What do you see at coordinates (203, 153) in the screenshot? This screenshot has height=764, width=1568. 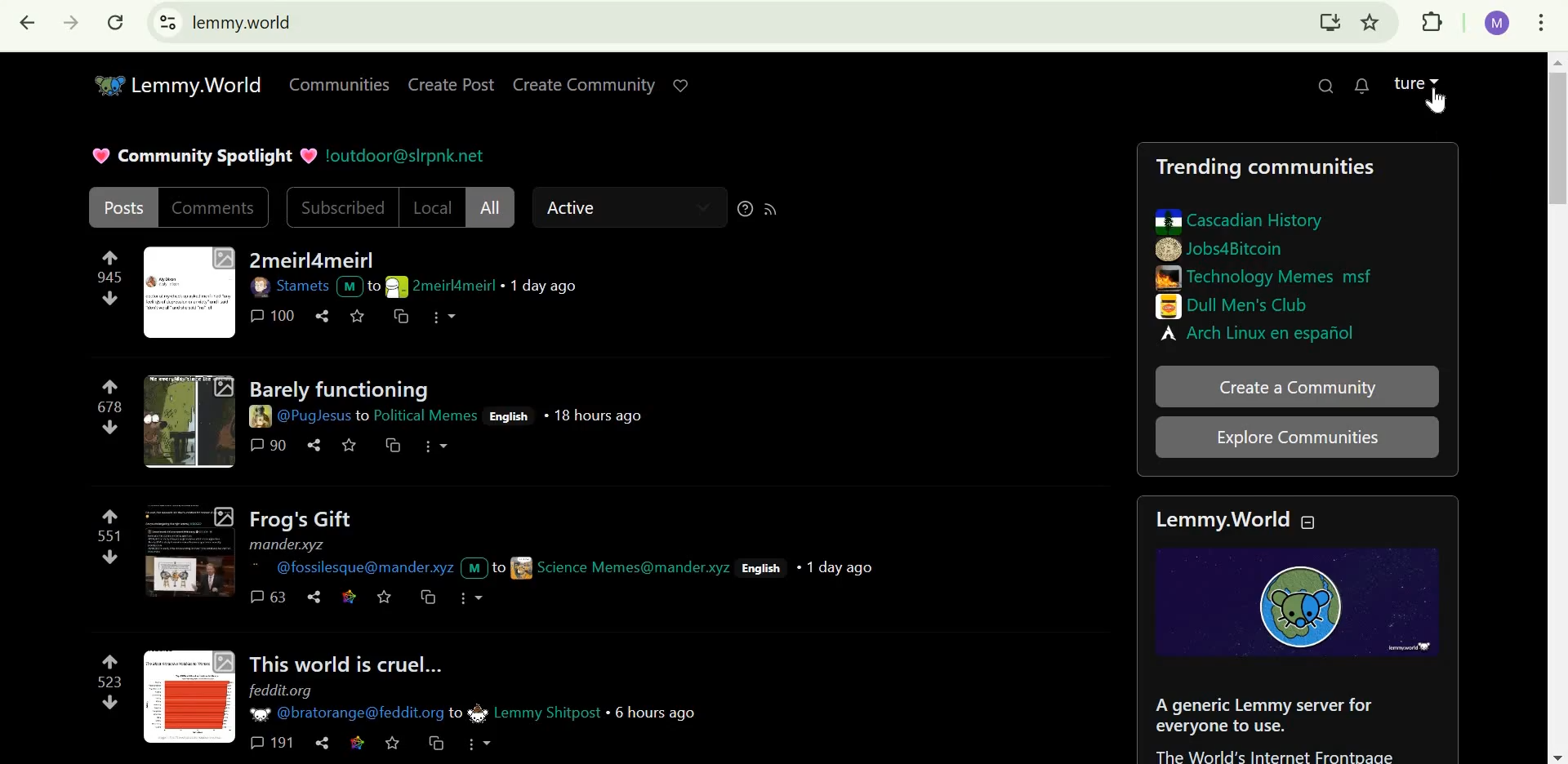 I see `Community spotlight` at bounding box center [203, 153].